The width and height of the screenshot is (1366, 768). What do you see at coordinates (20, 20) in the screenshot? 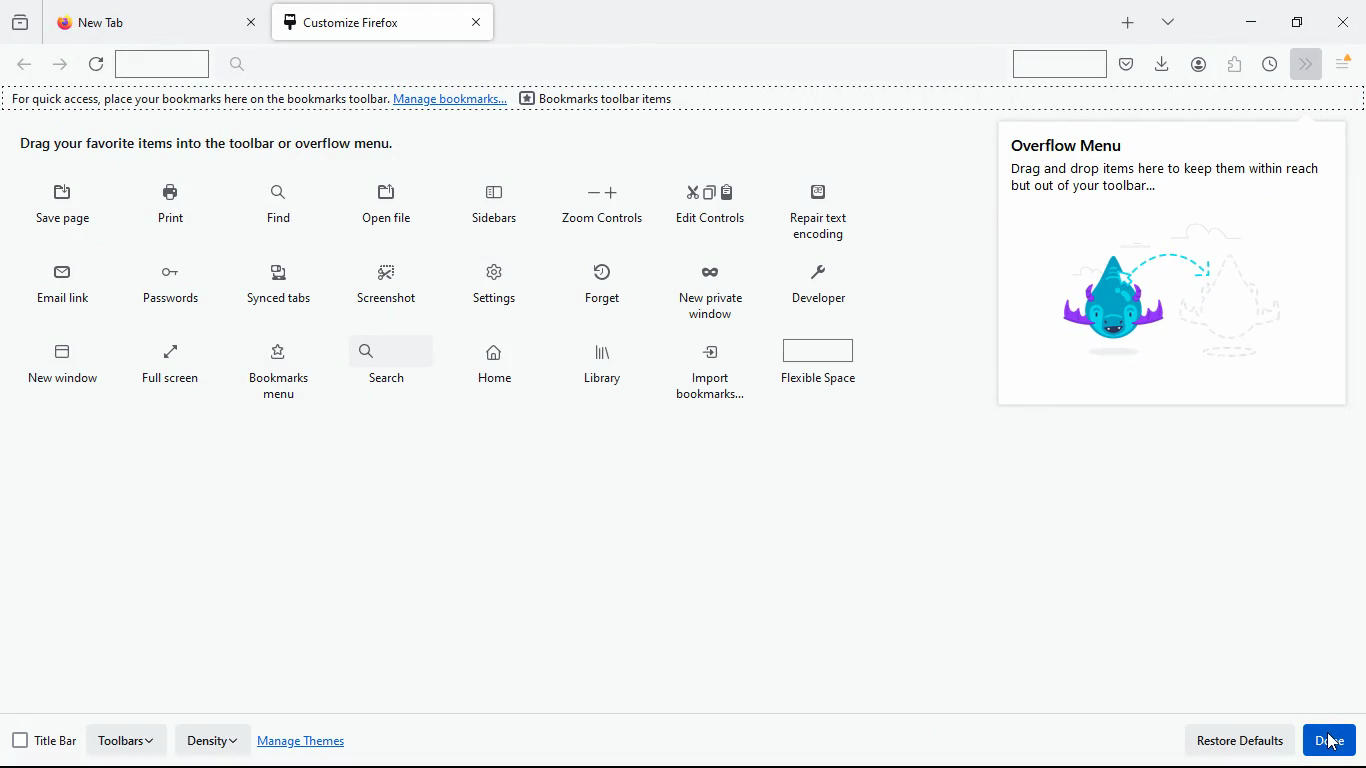
I see `history` at bounding box center [20, 20].